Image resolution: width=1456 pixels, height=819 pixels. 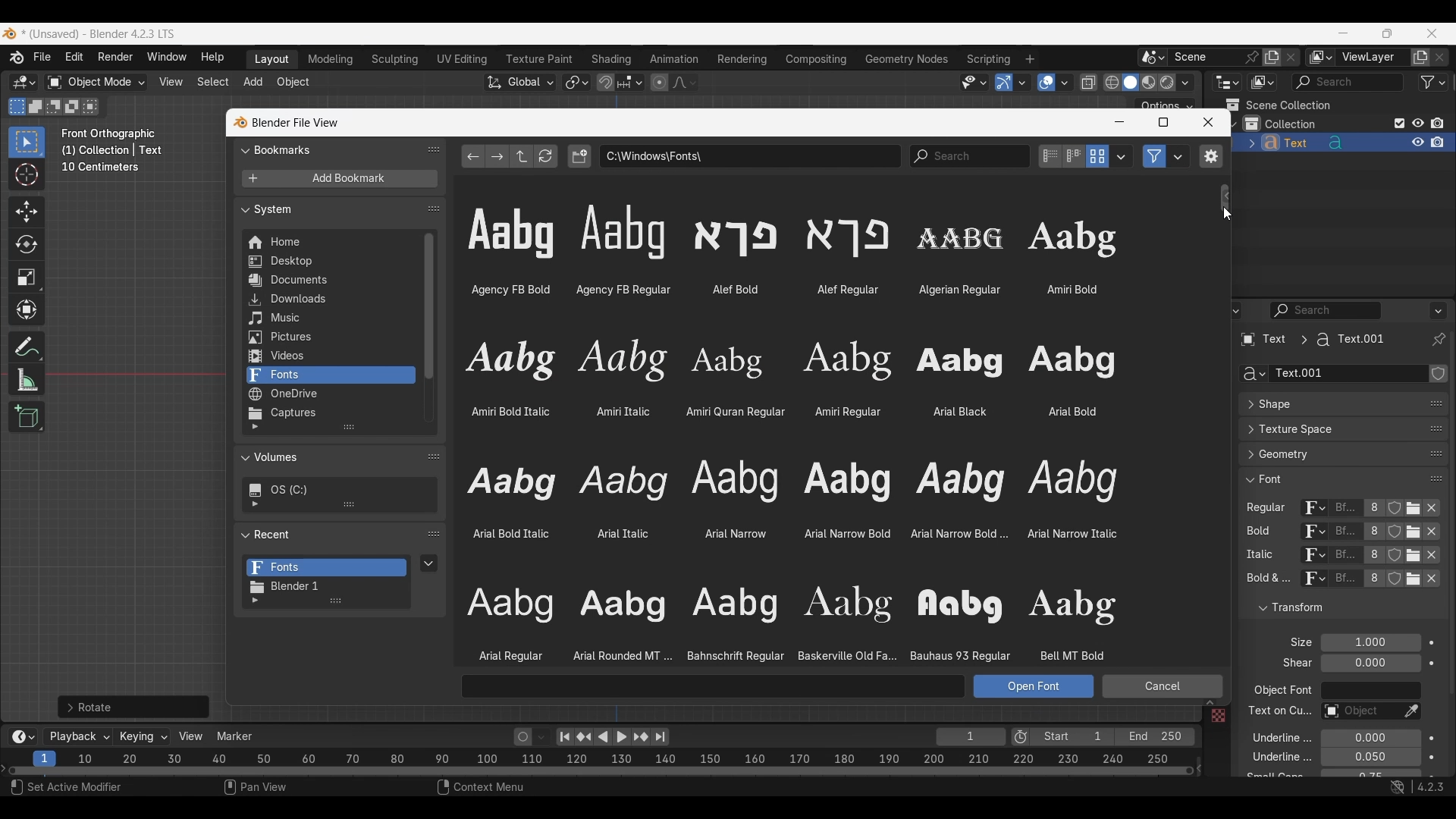 What do you see at coordinates (213, 83) in the screenshot?
I see `Select menu` at bounding box center [213, 83].